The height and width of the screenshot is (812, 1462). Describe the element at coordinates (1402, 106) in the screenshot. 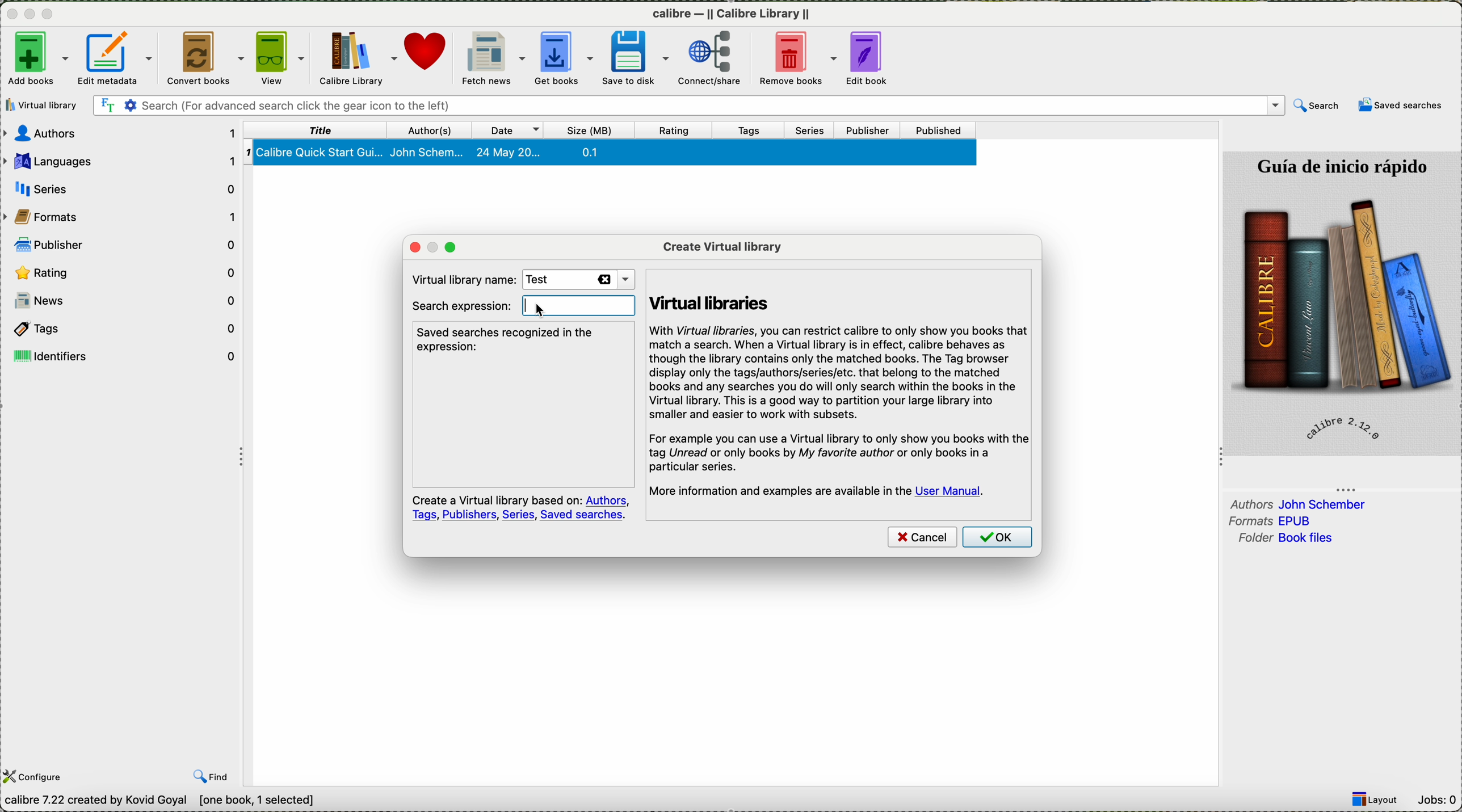

I see `saved searches` at that location.